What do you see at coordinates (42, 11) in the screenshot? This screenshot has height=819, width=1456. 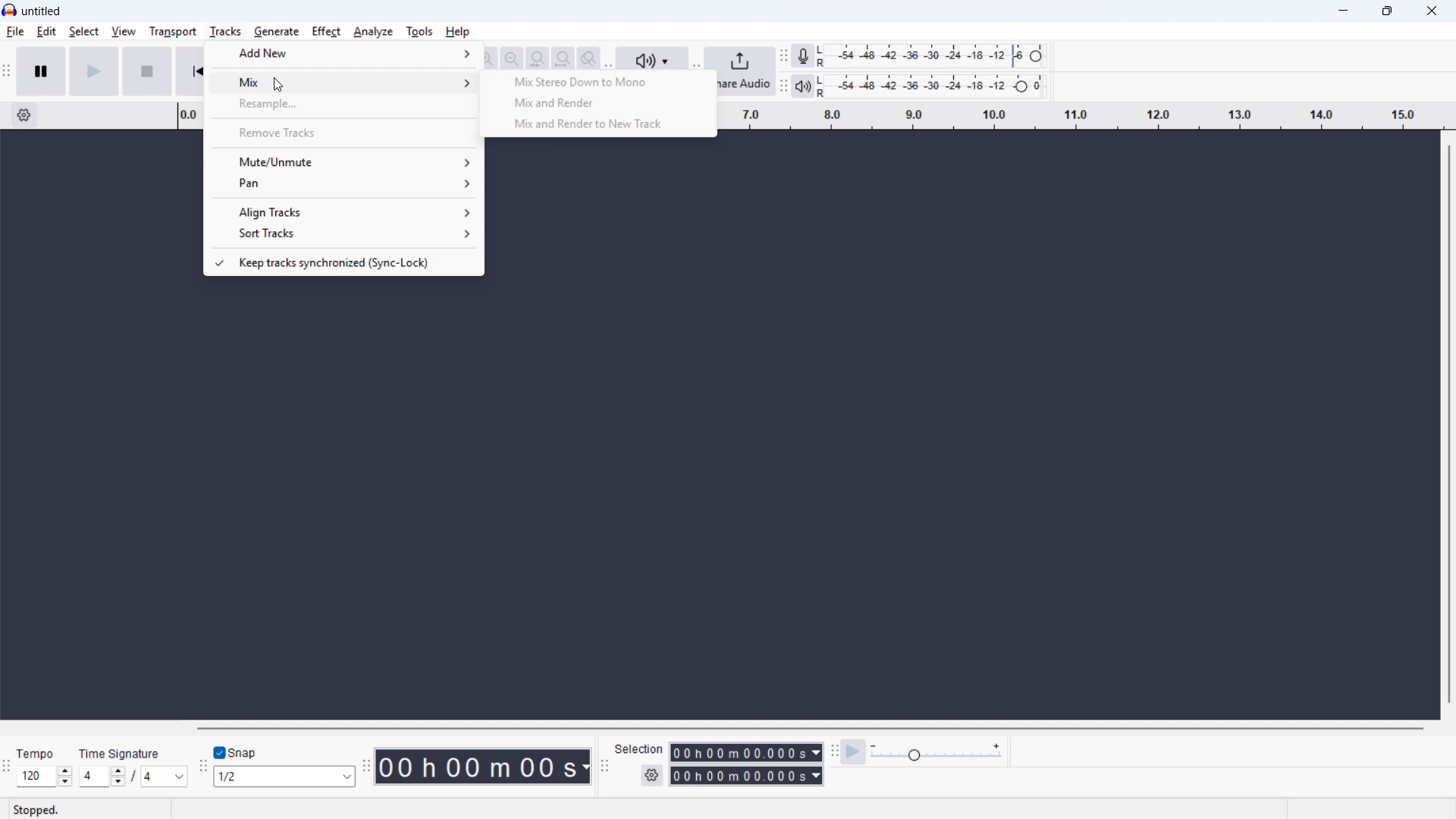 I see `Title ` at bounding box center [42, 11].